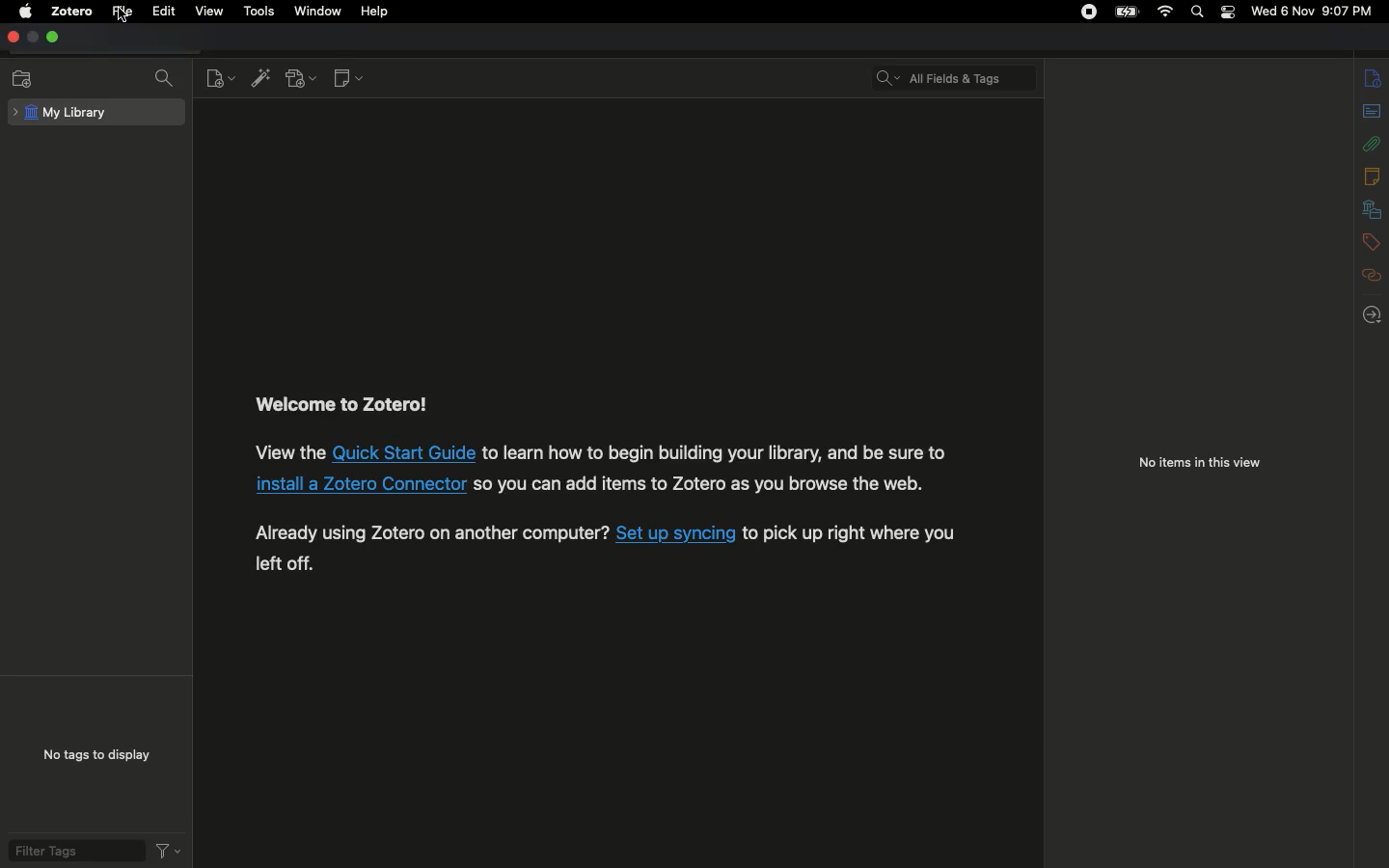 The image size is (1389, 868). What do you see at coordinates (301, 80) in the screenshot?
I see `Add attachment` at bounding box center [301, 80].